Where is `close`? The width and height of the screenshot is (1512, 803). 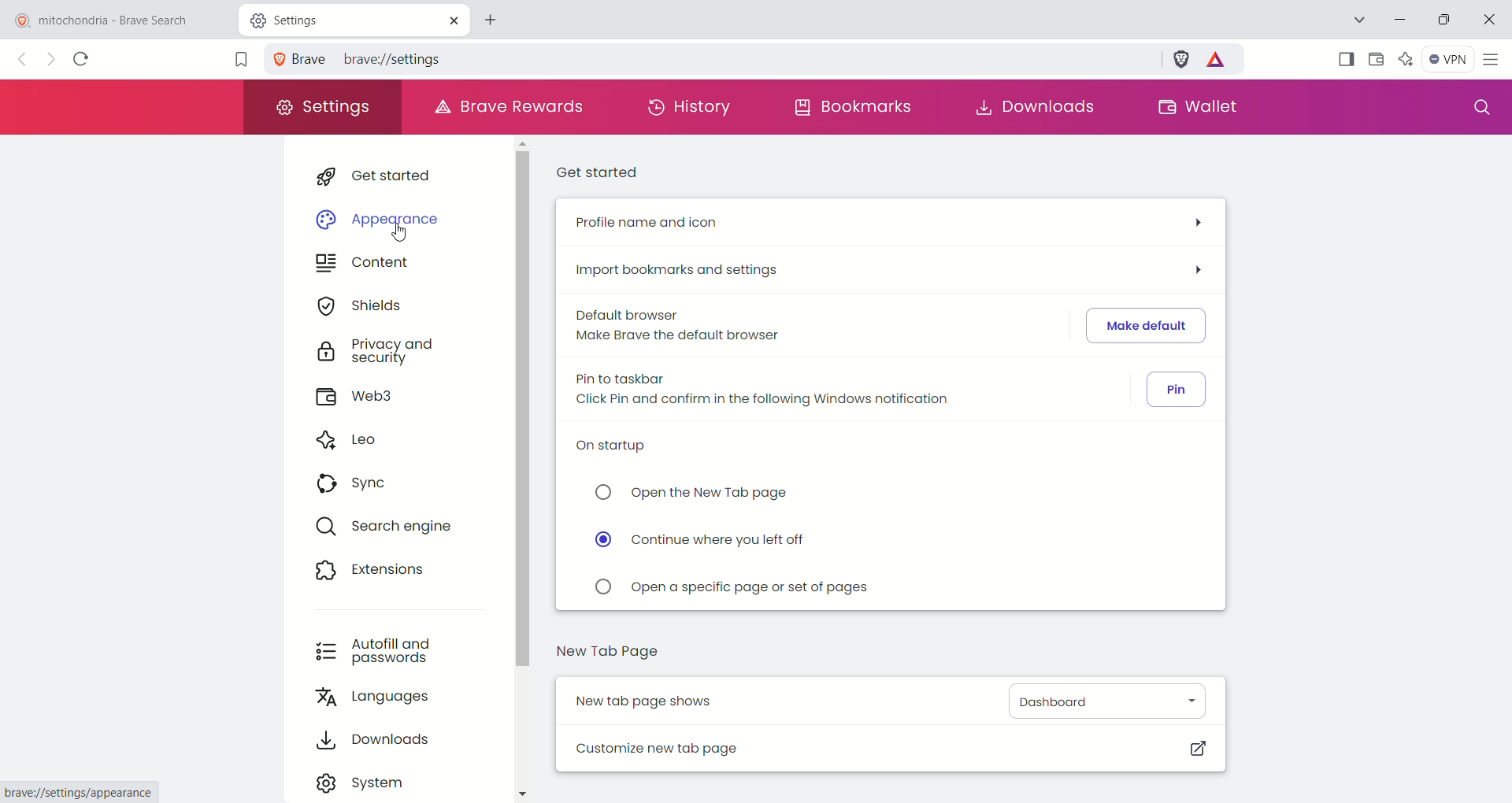
close is located at coordinates (1493, 16).